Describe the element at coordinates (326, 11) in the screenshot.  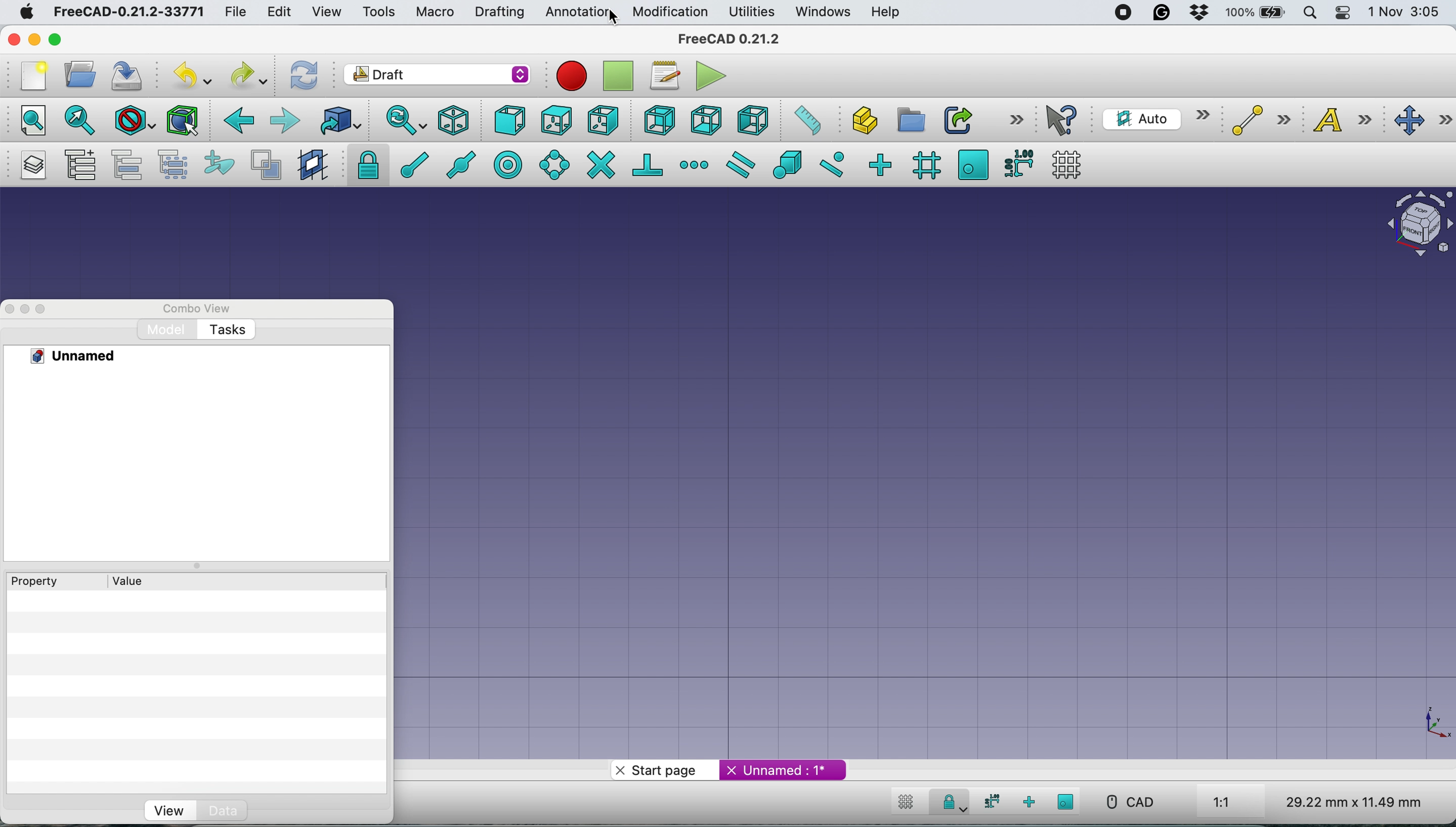
I see `view` at that location.